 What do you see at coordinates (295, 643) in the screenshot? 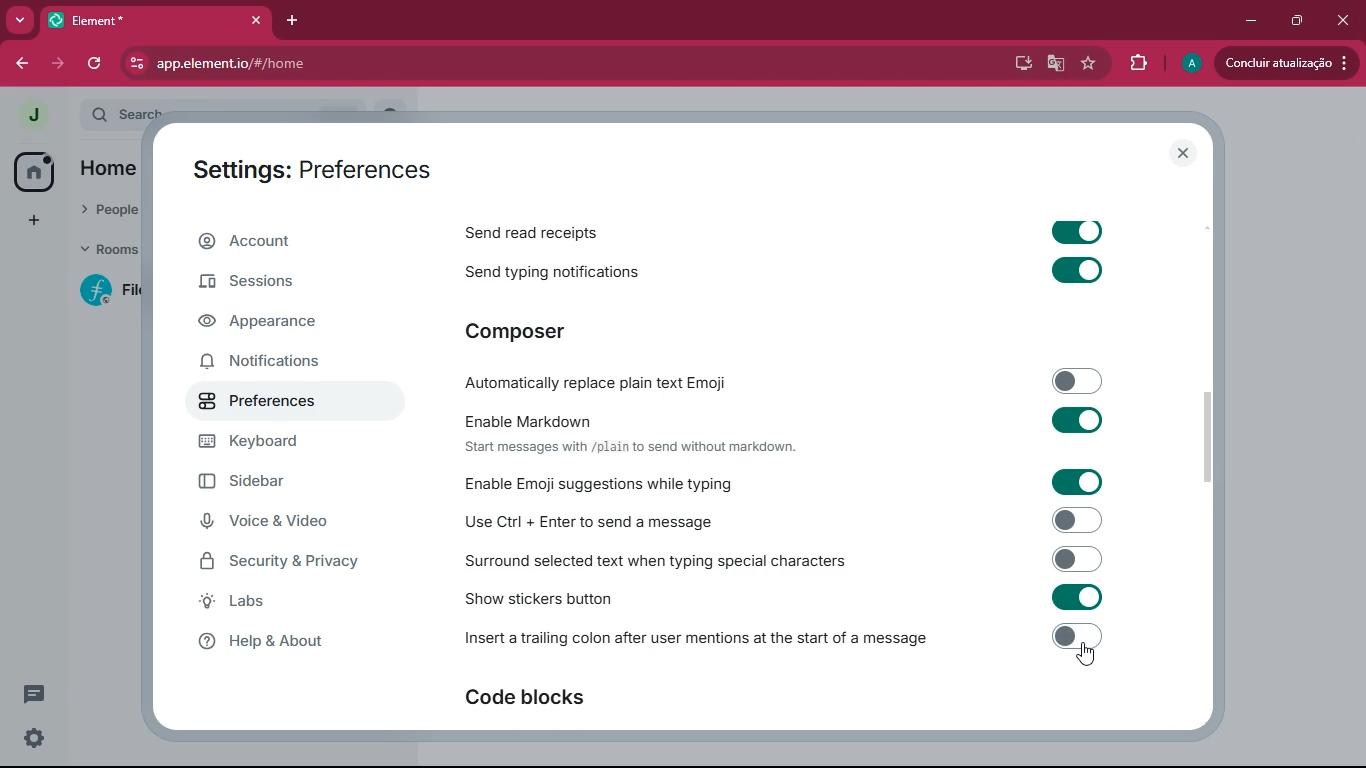
I see `help` at bounding box center [295, 643].